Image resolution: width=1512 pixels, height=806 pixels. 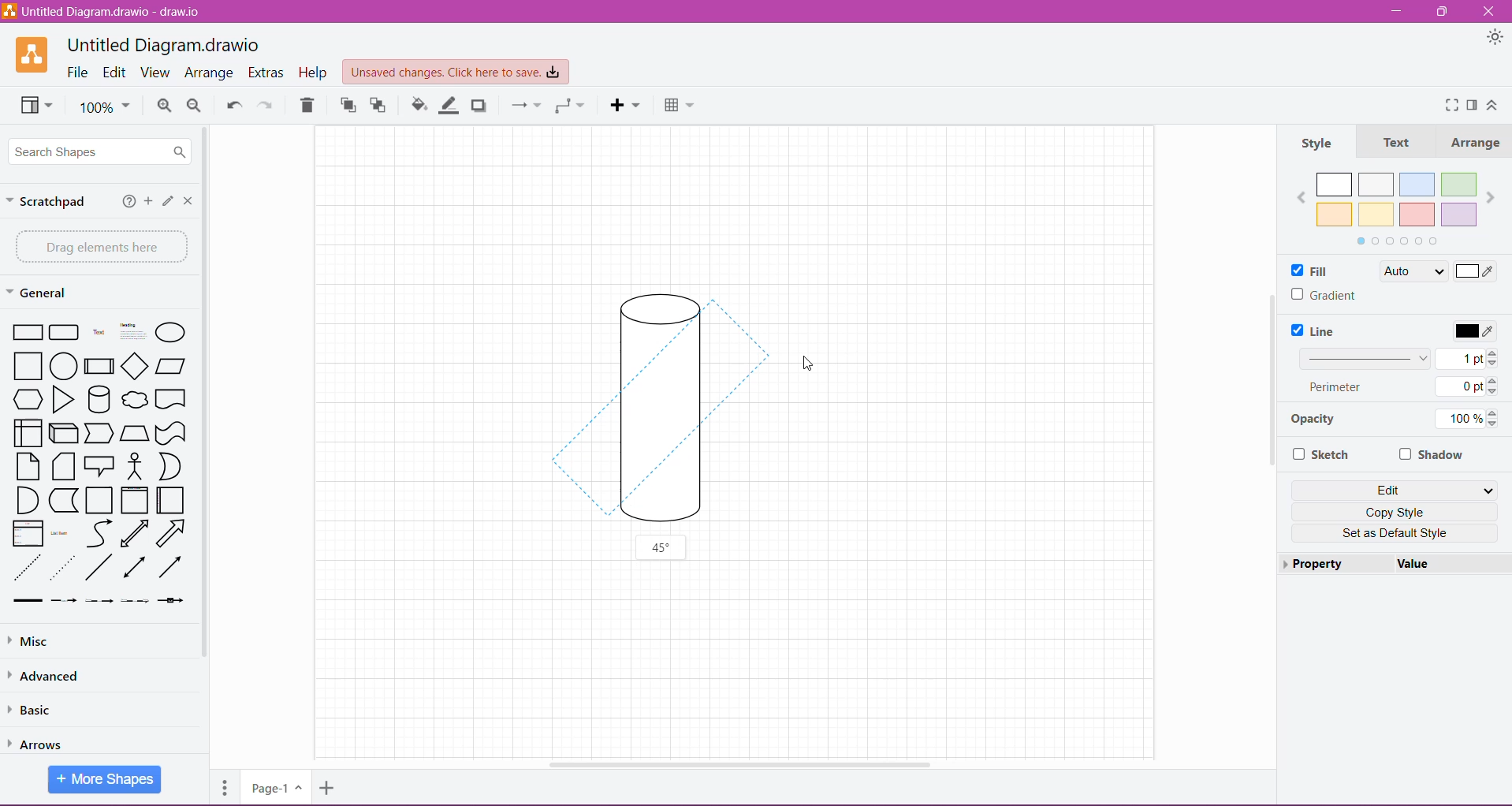 What do you see at coordinates (1396, 142) in the screenshot?
I see `Text` at bounding box center [1396, 142].